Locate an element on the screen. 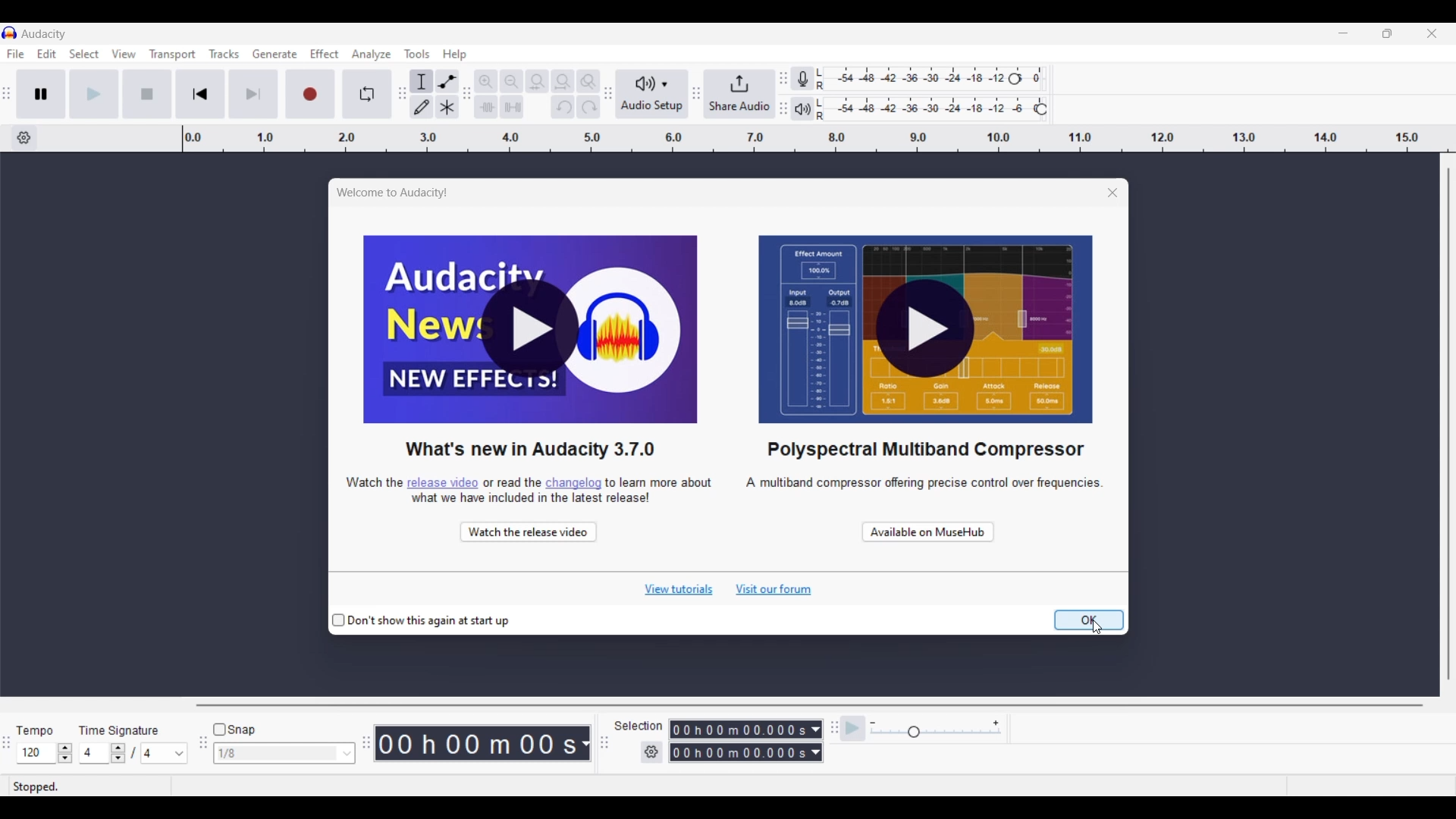  Maximum playback speed is located at coordinates (996, 723).